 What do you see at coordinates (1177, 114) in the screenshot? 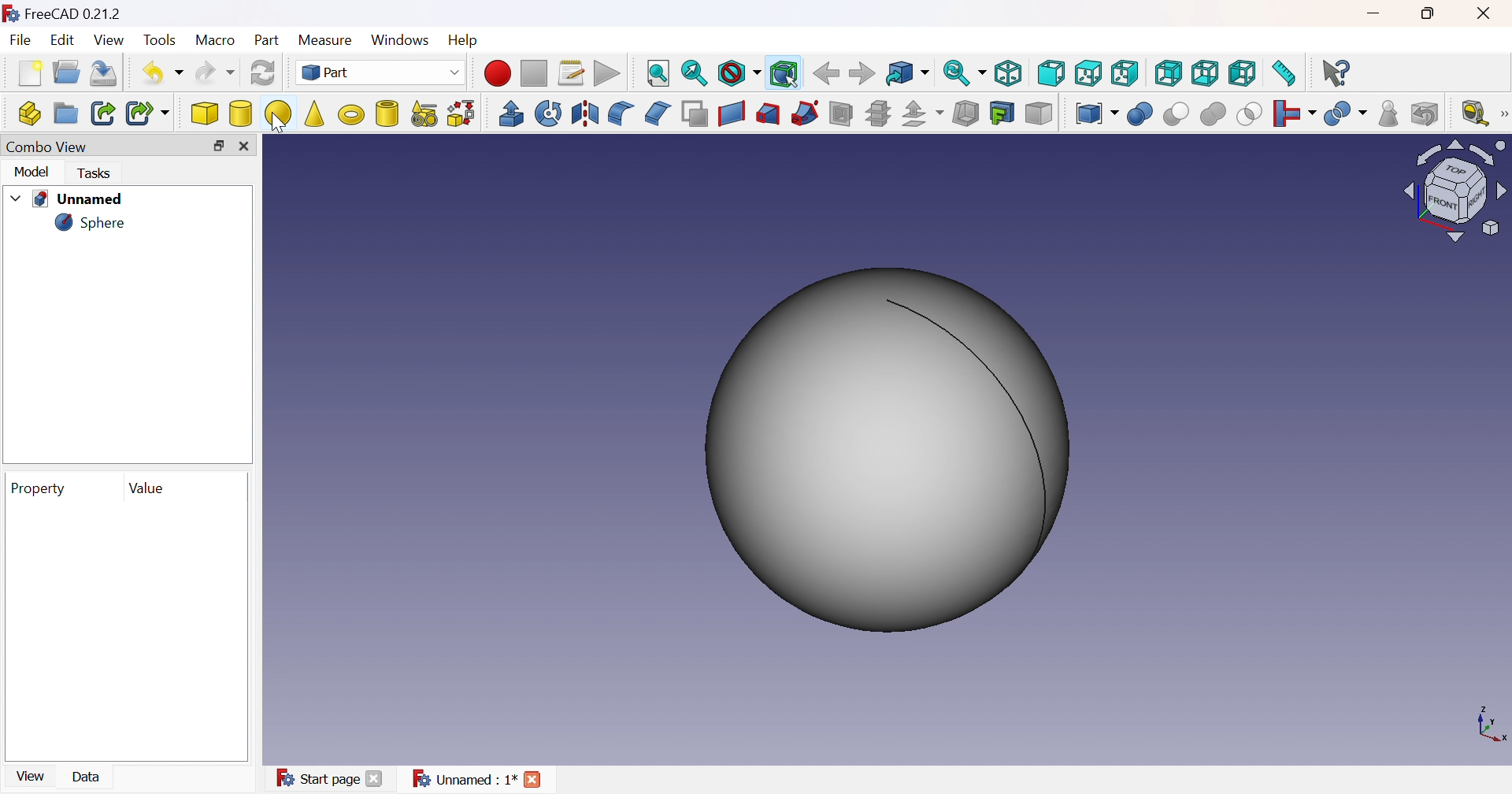
I see `Cut` at bounding box center [1177, 114].